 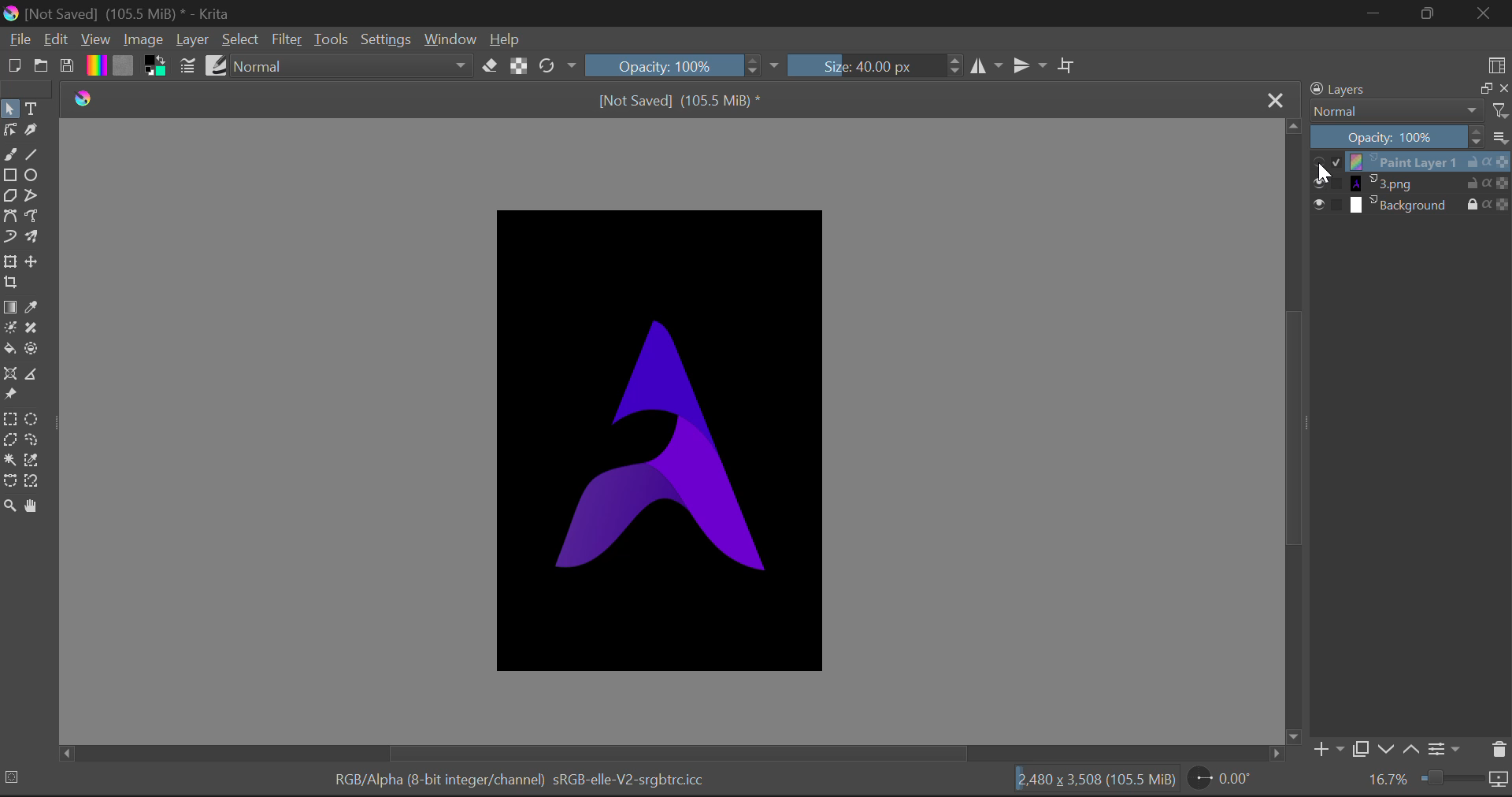 I want to click on Blending Mode, so click(x=1411, y=110).